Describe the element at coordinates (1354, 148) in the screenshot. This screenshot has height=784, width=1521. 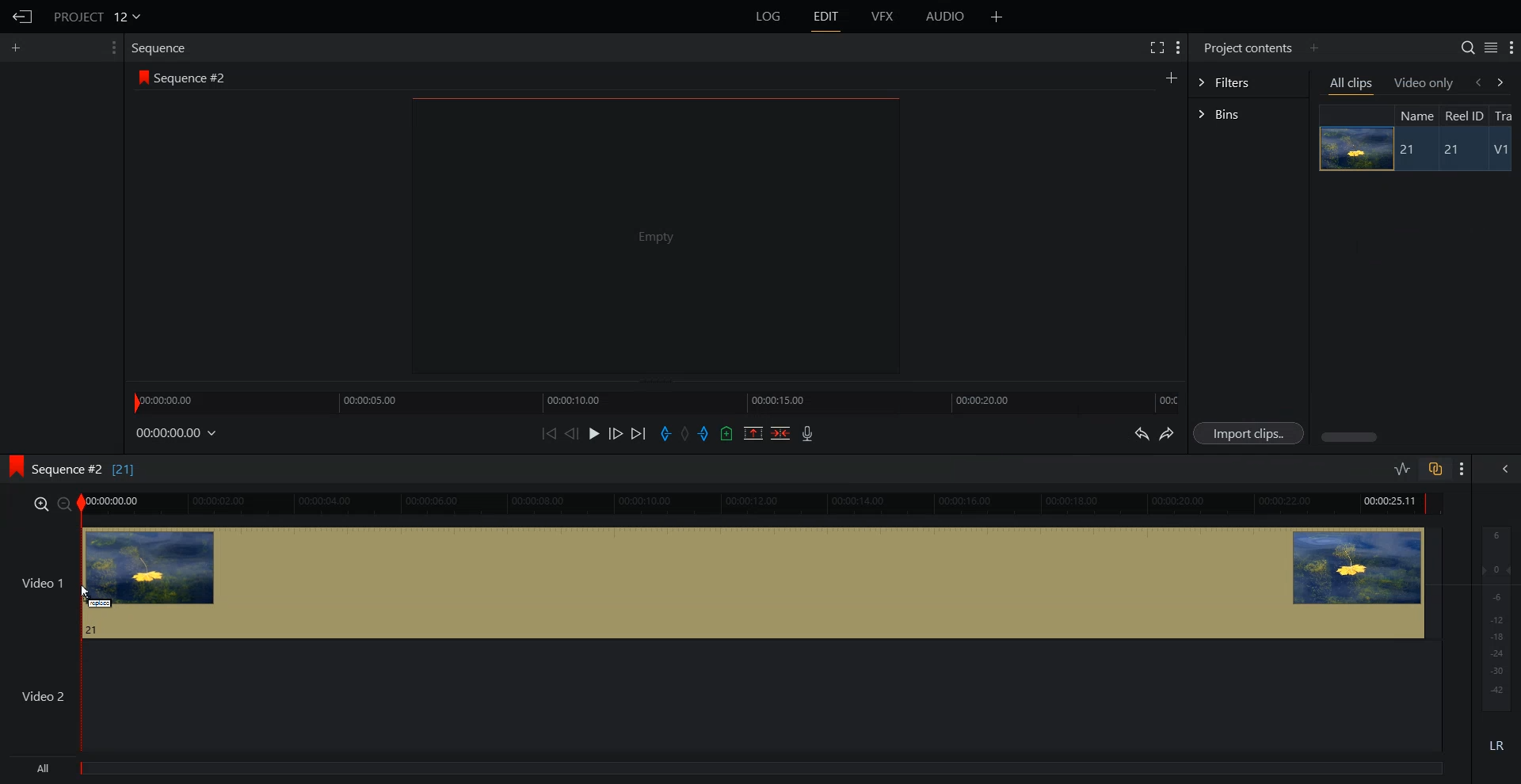
I see `Image` at that location.